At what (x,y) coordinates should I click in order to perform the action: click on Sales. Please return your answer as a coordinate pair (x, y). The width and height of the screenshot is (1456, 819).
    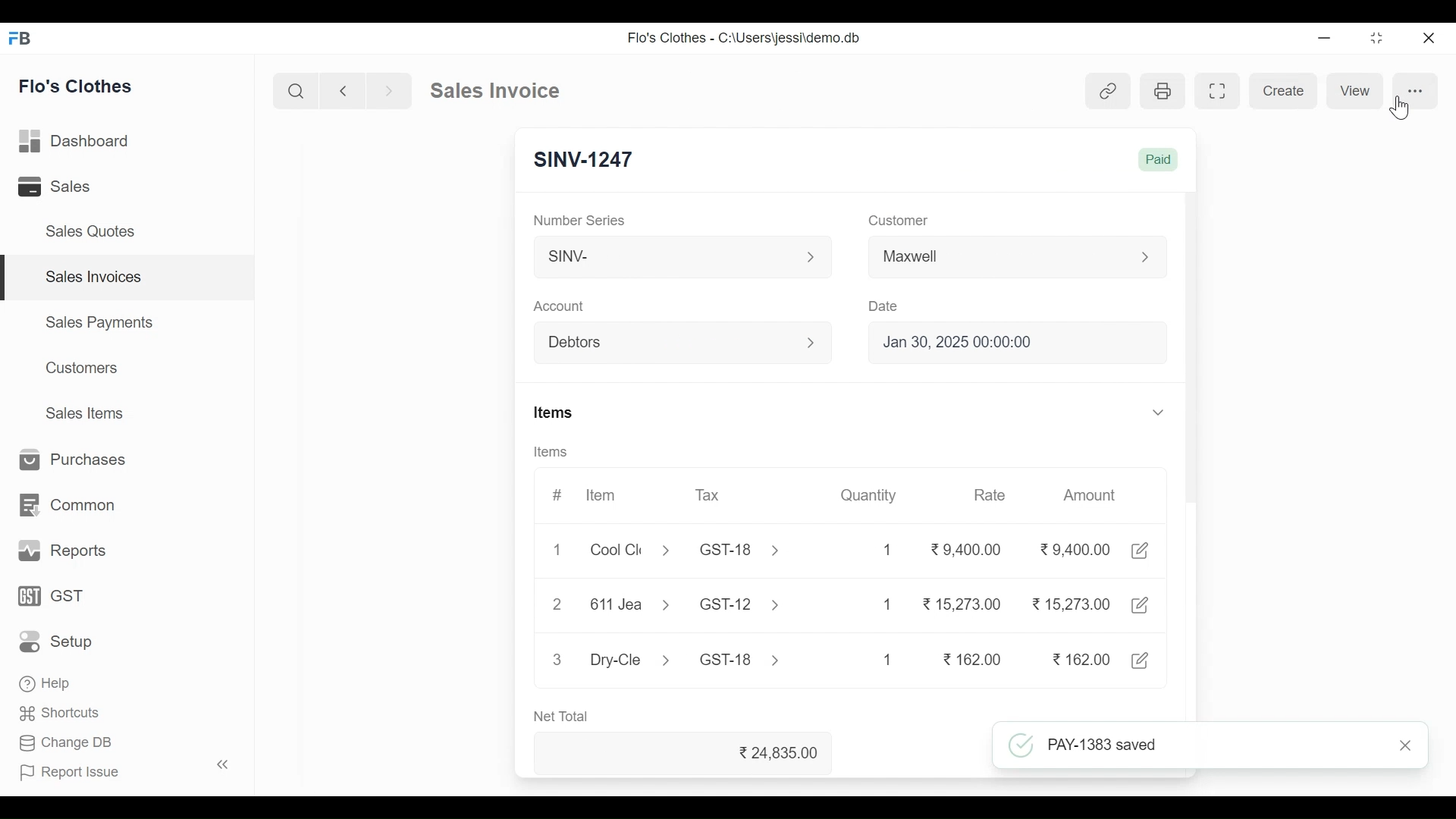
    Looking at the image, I should click on (58, 187).